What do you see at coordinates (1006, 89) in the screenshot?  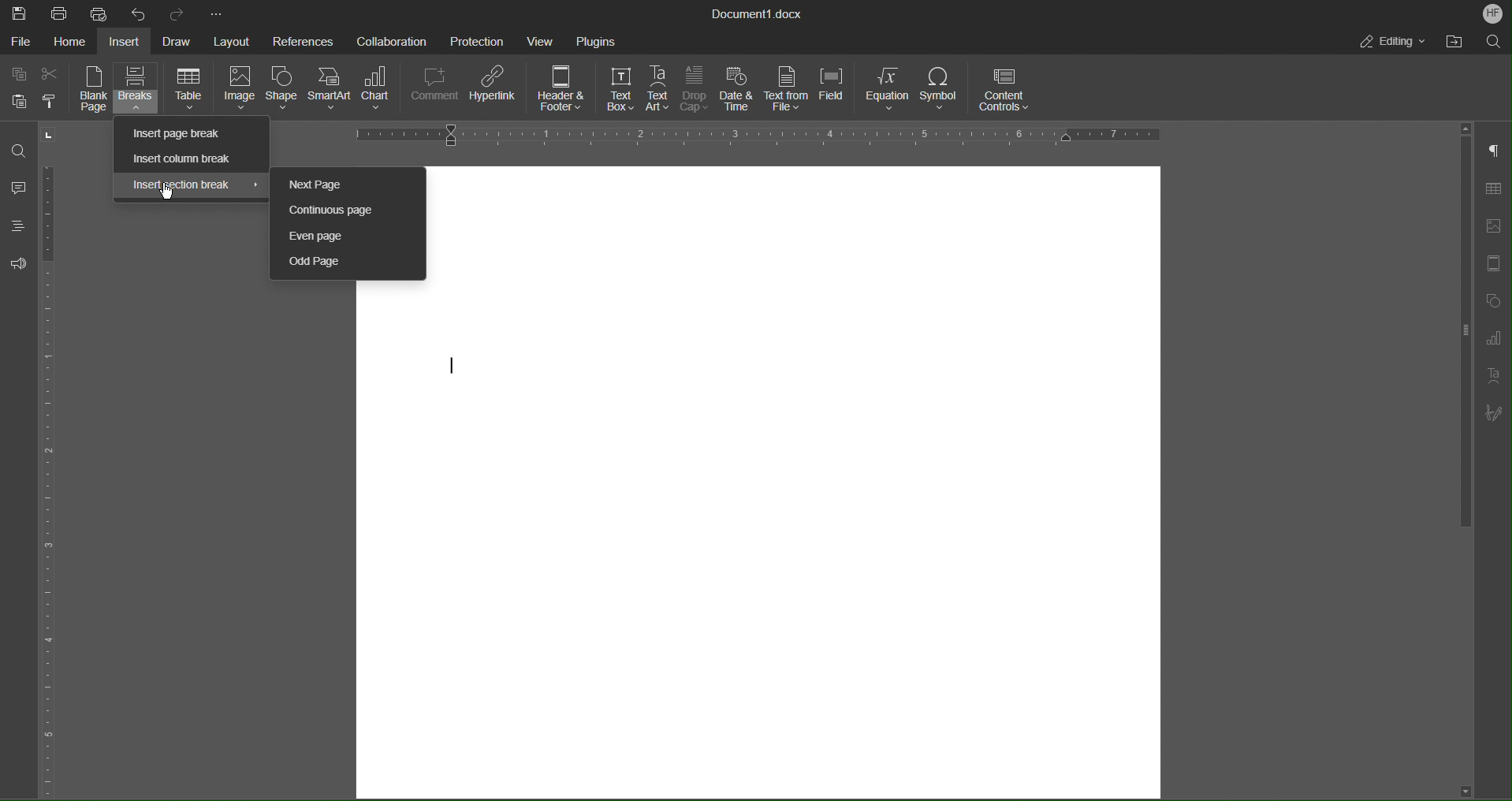 I see `Content Controls` at bounding box center [1006, 89].